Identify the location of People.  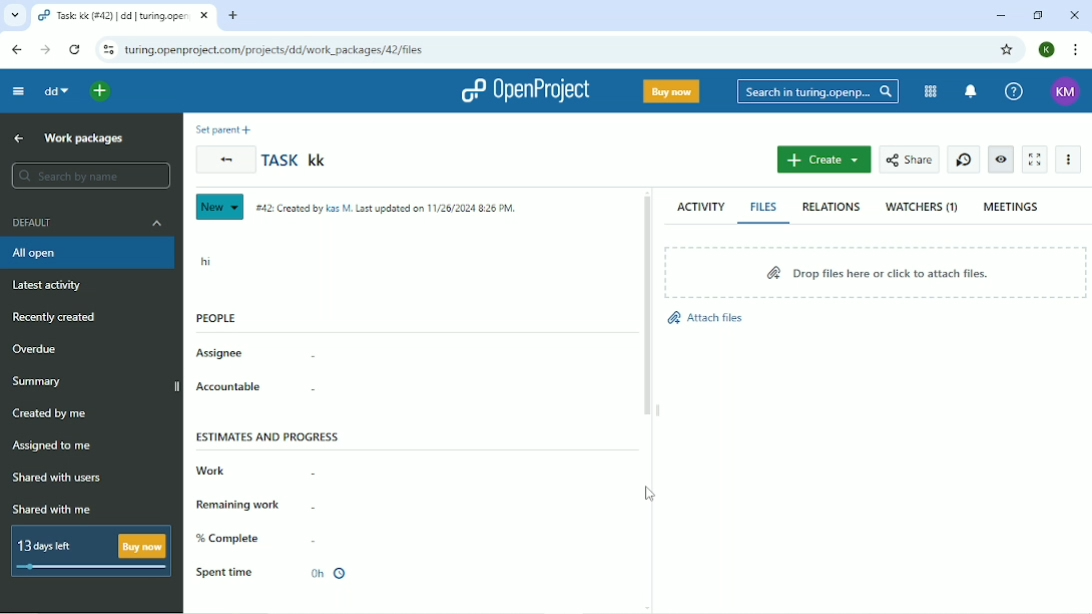
(216, 317).